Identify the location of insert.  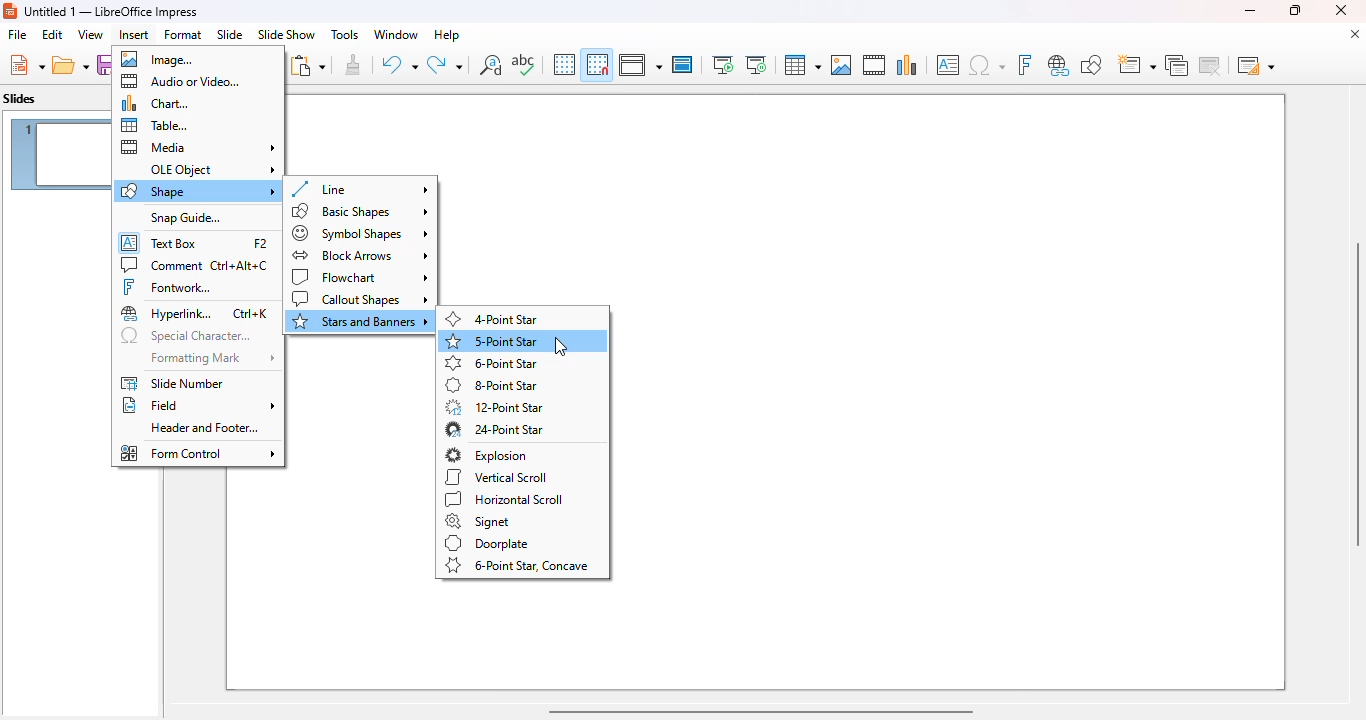
(134, 35).